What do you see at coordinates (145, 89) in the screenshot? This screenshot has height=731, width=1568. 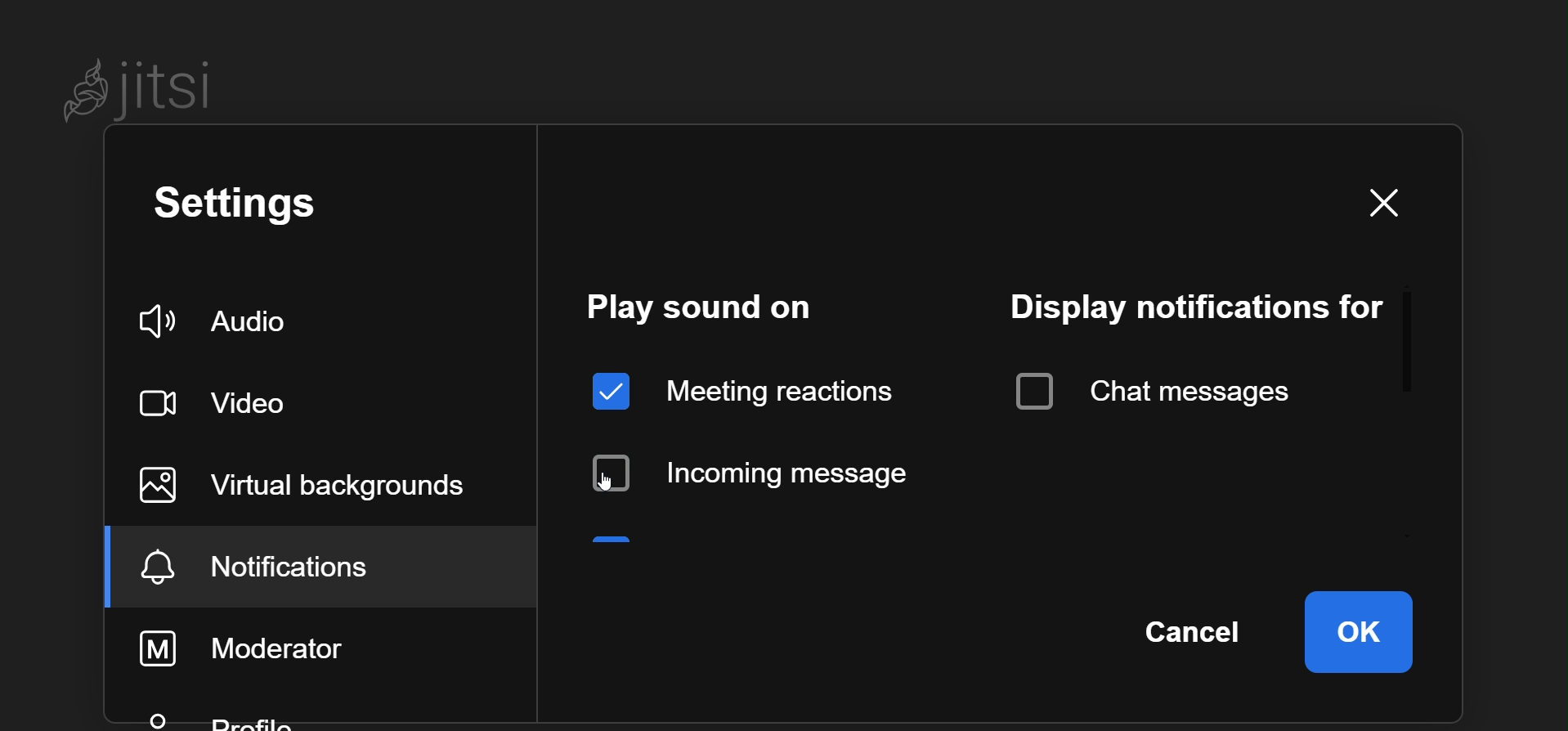 I see `Jitsi` at bounding box center [145, 89].